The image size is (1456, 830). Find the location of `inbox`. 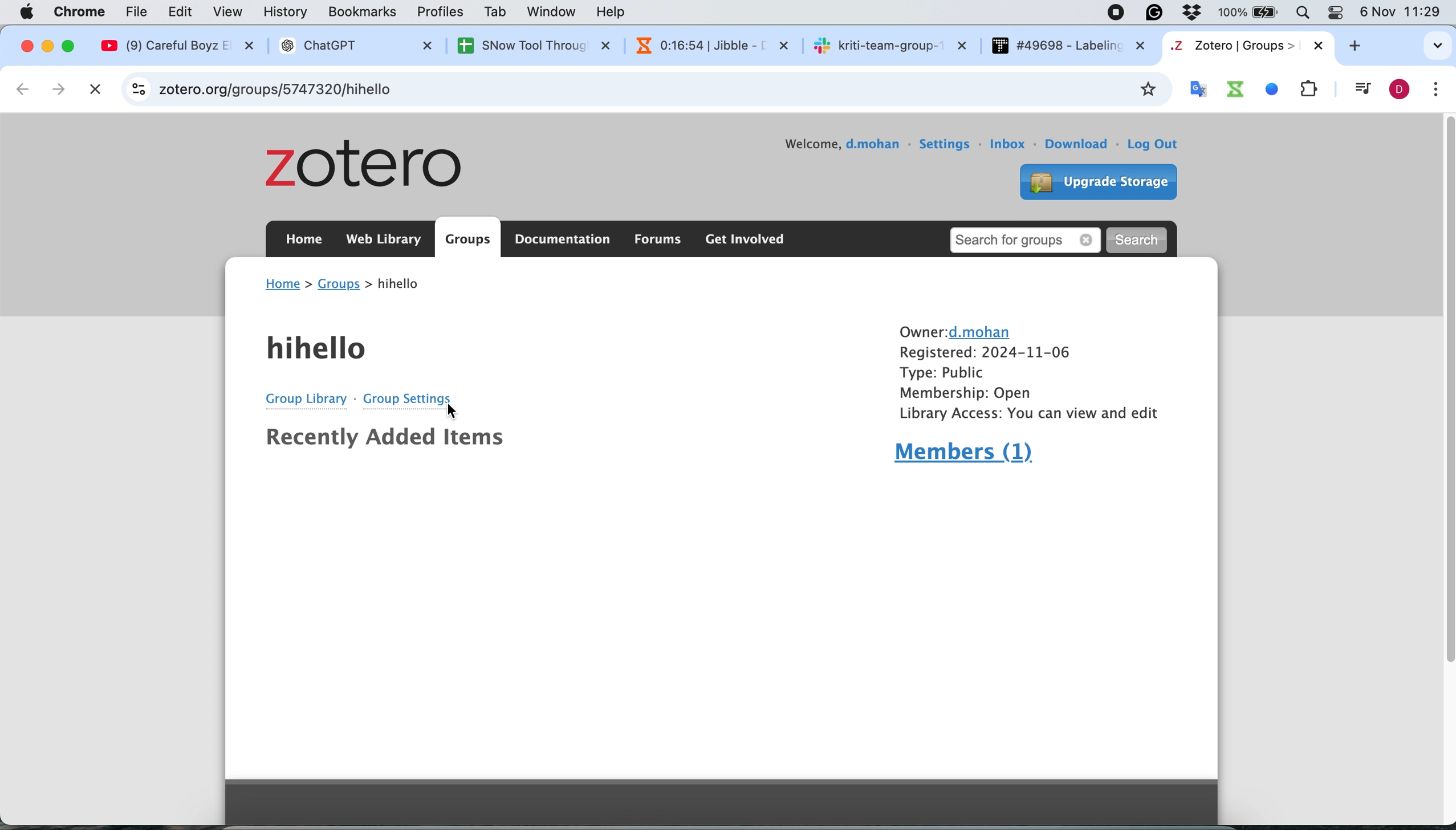

inbox is located at coordinates (1010, 144).